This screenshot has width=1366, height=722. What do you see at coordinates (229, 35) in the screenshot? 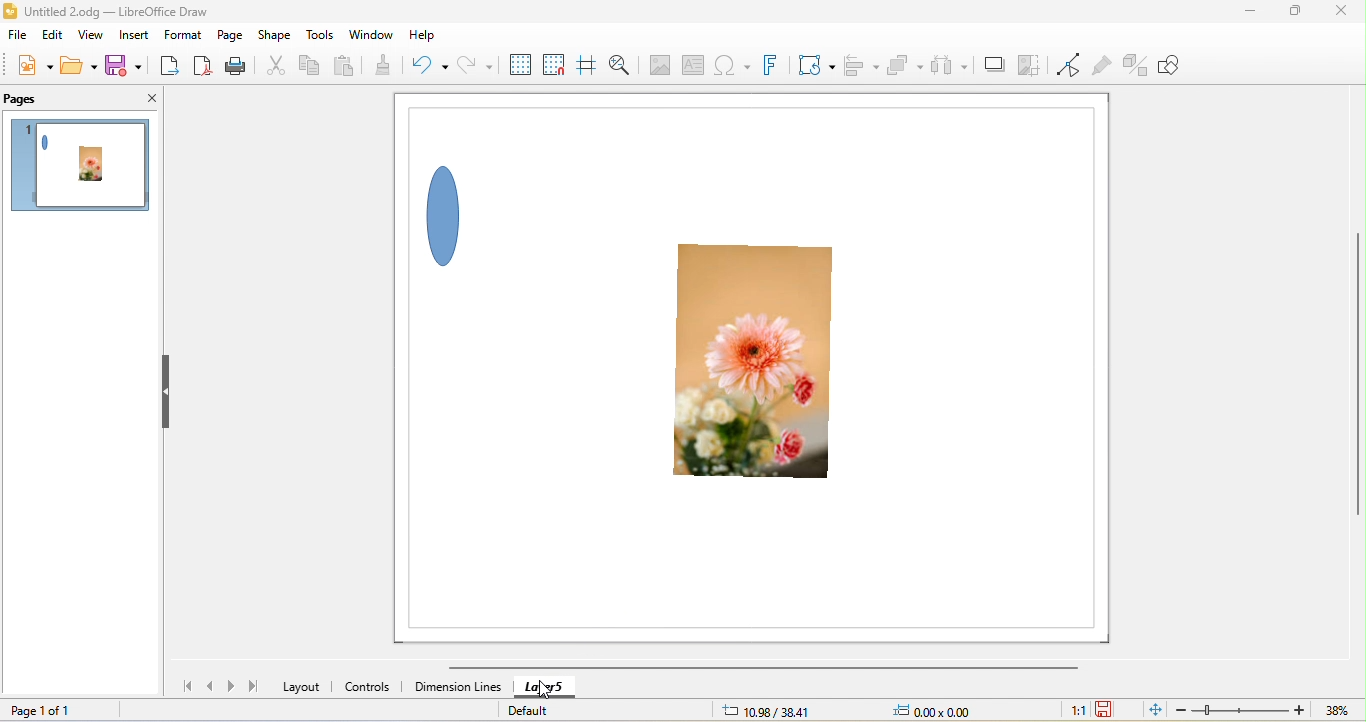
I see `page` at bounding box center [229, 35].